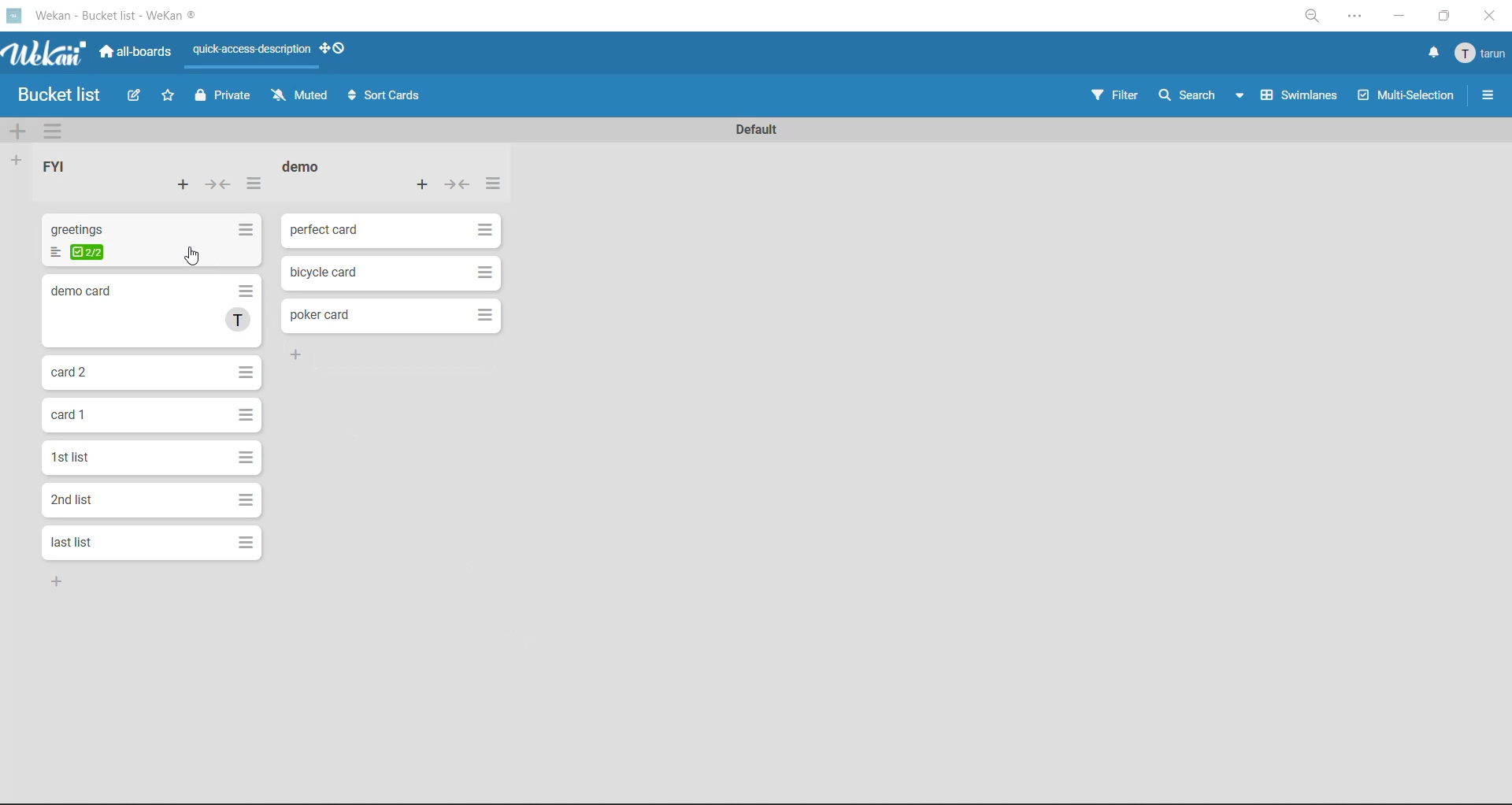 The height and width of the screenshot is (805, 1512). What do you see at coordinates (1482, 54) in the screenshot?
I see `menu` at bounding box center [1482, 54].